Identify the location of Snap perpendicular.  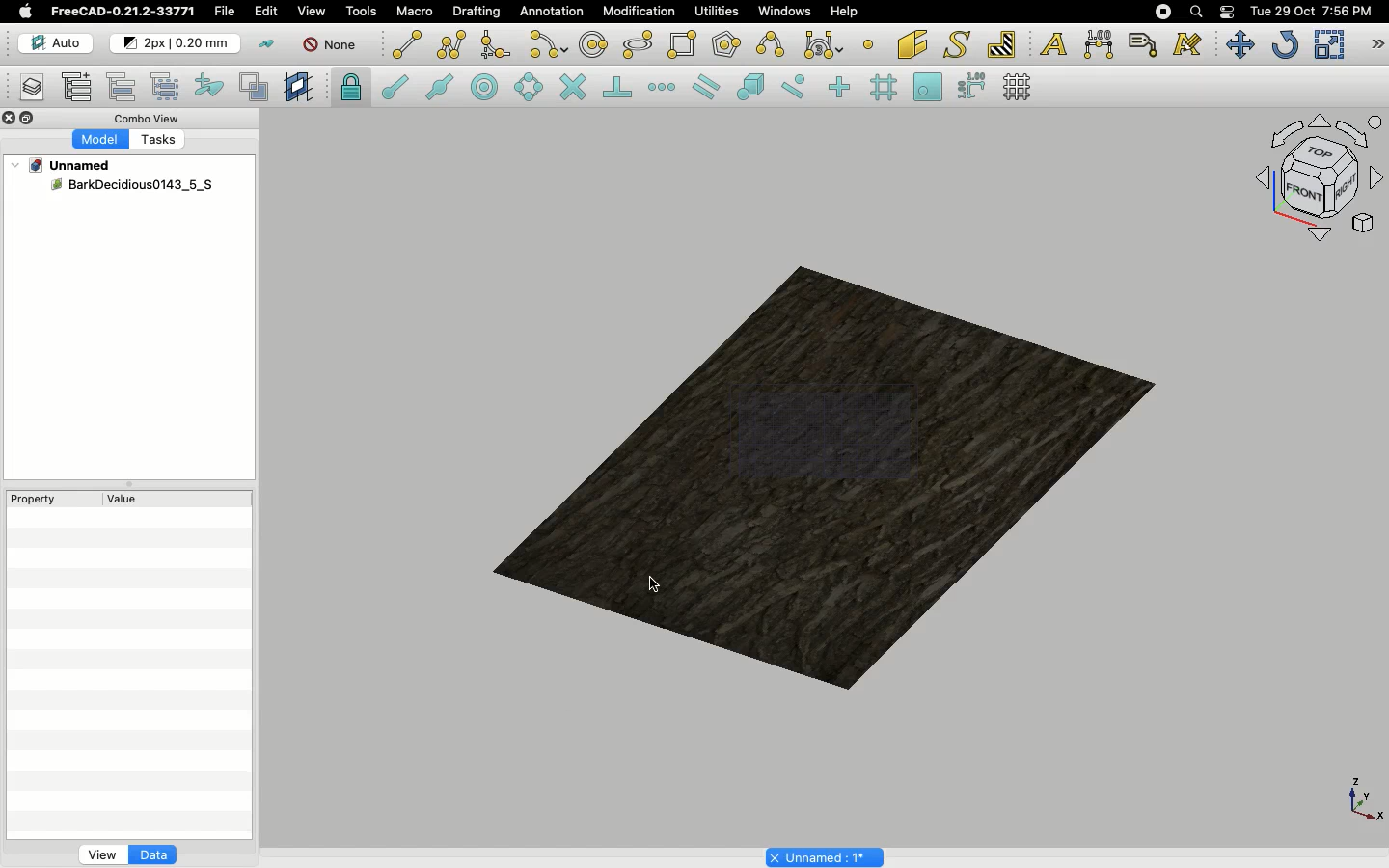
(620, 89).